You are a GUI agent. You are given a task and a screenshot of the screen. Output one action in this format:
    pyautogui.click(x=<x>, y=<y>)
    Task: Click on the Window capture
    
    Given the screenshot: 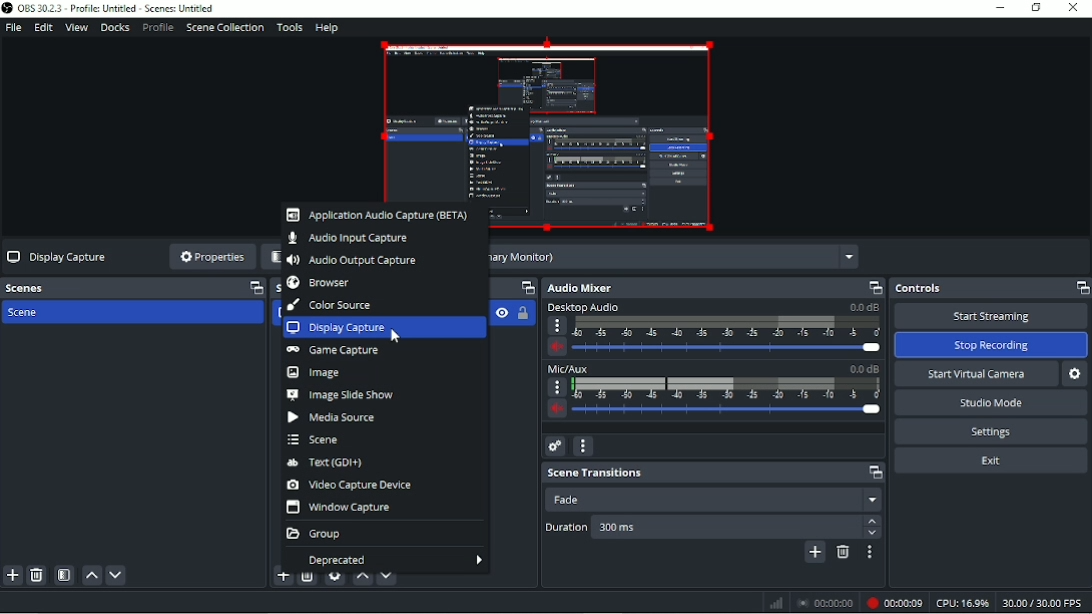 What is the action you would take?
    pyautogui.click(x=341, y=508)
    